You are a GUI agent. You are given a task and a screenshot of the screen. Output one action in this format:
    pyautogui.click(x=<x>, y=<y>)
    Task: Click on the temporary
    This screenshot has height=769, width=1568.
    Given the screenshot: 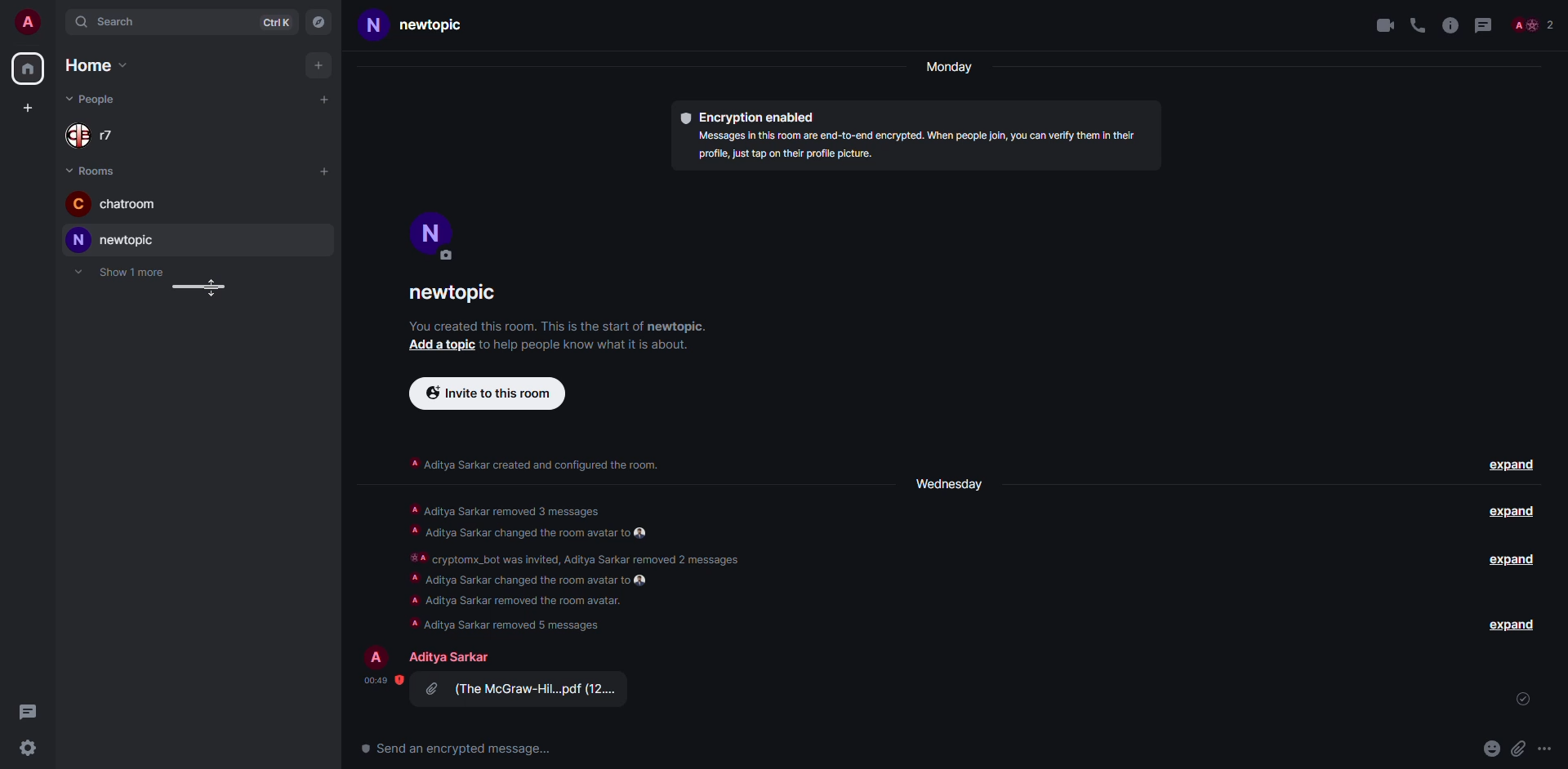 What is the action you would take?
    pyautogui.click(x=120, y=271)
    